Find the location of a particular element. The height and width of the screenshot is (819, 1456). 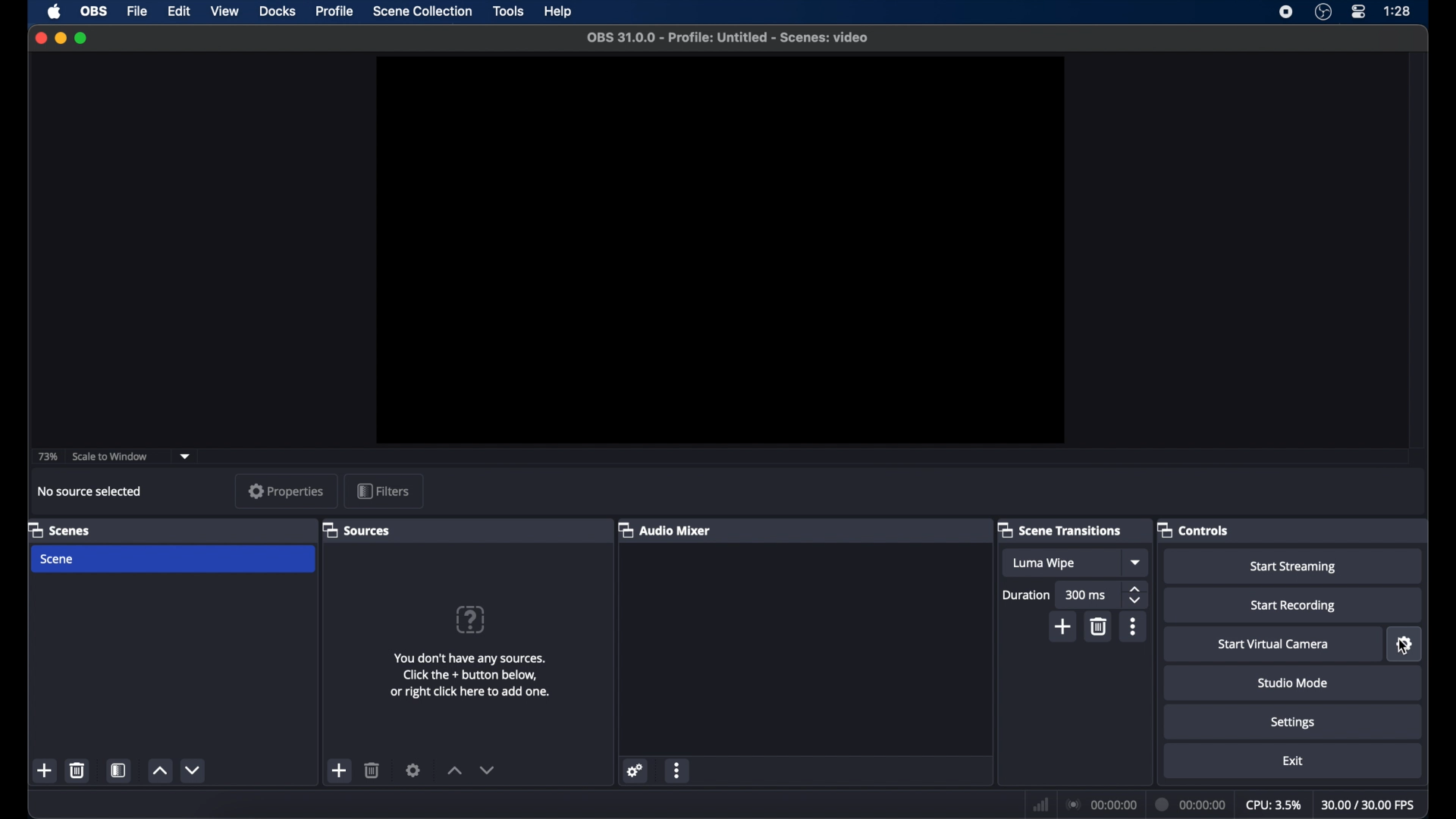

add sources information is located at coordinates (470, 676).